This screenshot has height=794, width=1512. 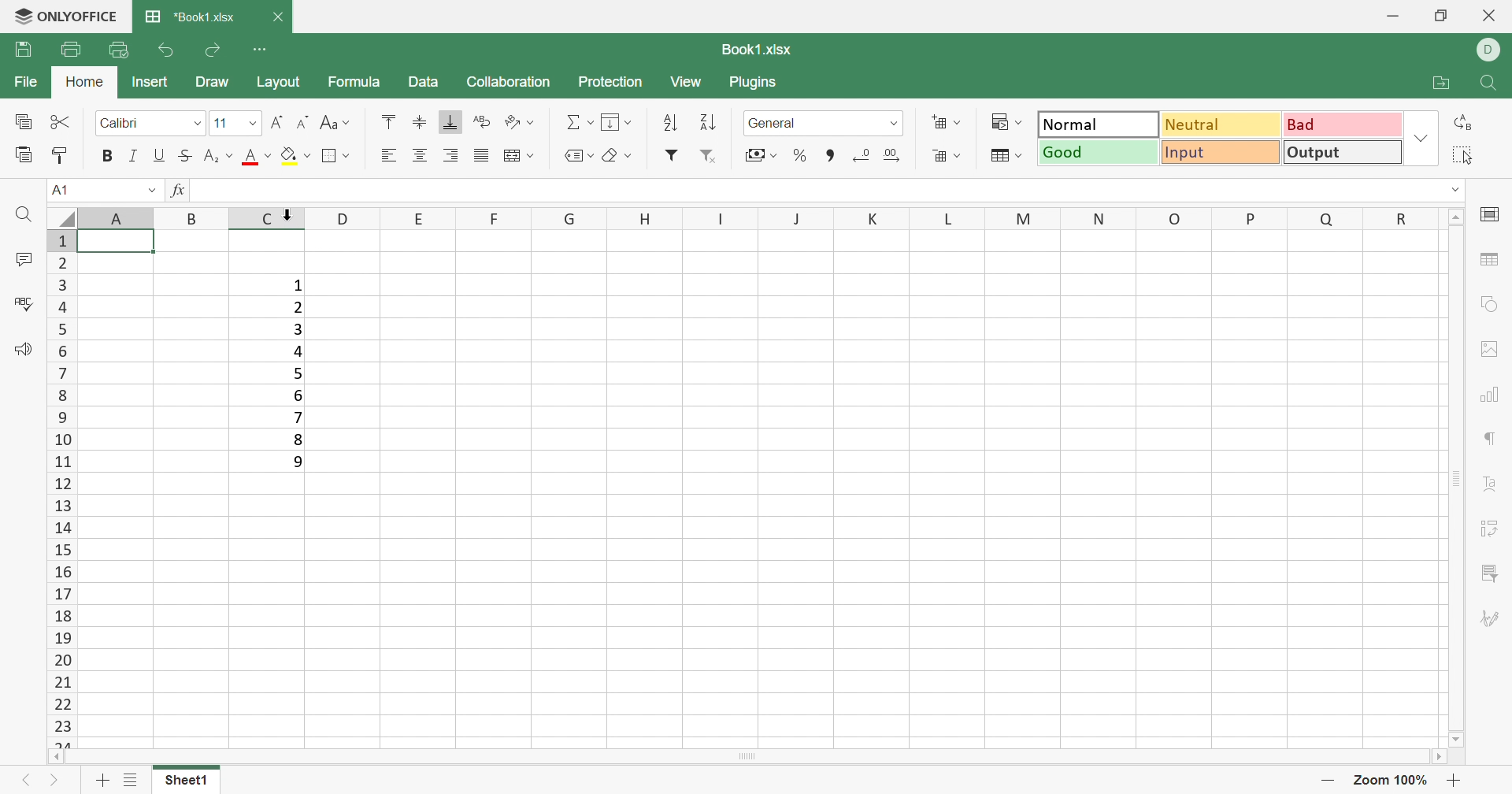 What do you see at coordinates (1344, 153) in the screenshot?
I see `Output` at bounding box center [1344, 153].